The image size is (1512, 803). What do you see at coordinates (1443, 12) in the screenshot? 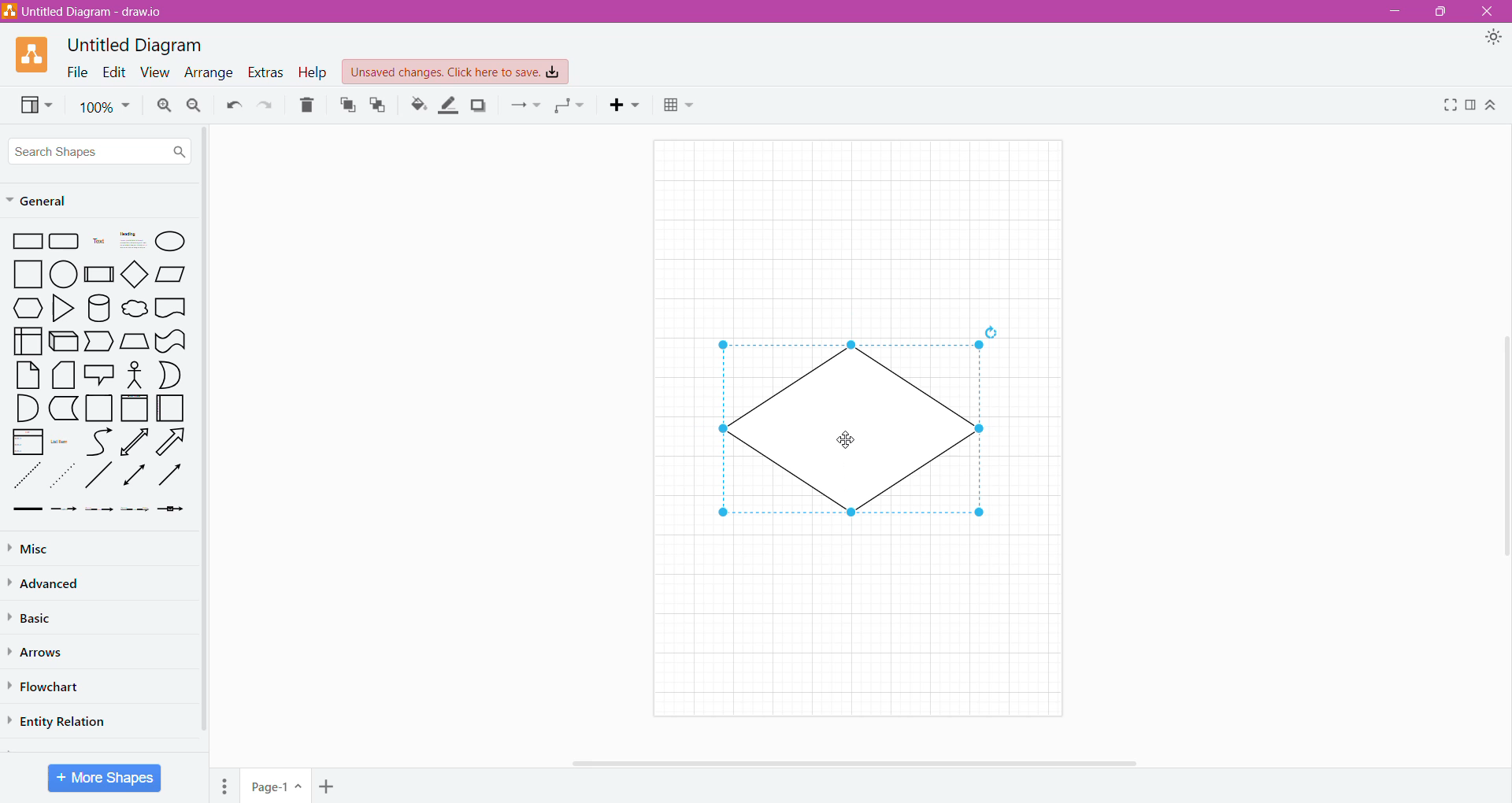
I see `Restore Down` at bounding box center [1443, 12].